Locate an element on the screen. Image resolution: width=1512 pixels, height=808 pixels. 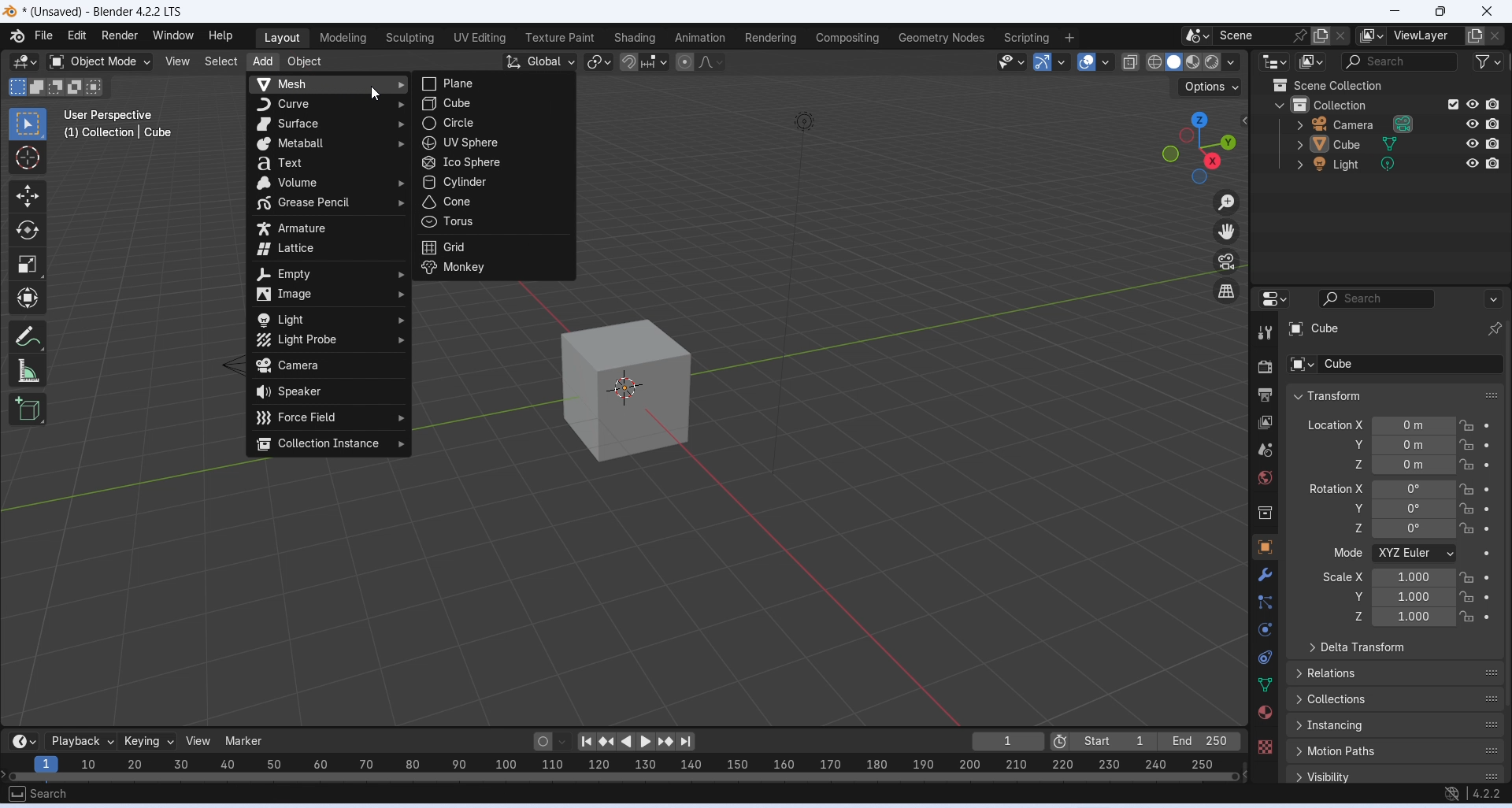
collections is located at coordinates (1395, 700).